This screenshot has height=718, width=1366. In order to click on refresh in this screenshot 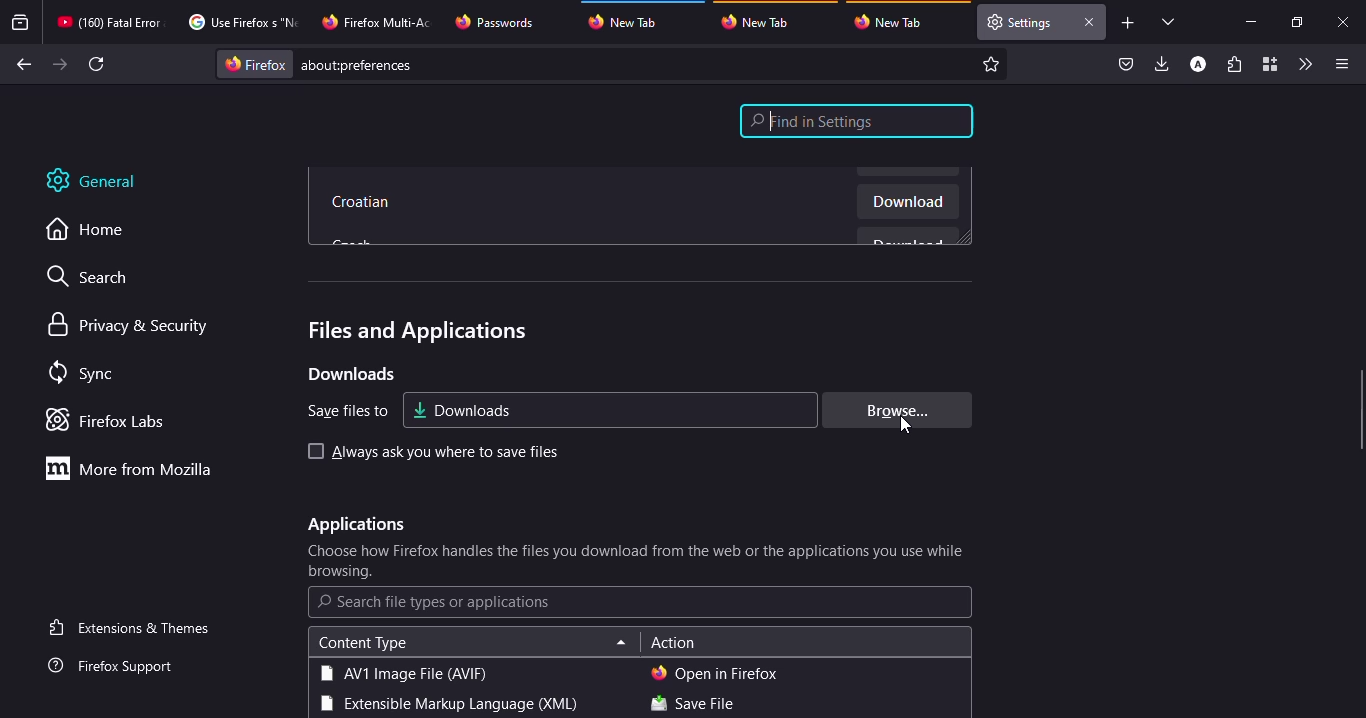, I will do `click(98, 64)`.